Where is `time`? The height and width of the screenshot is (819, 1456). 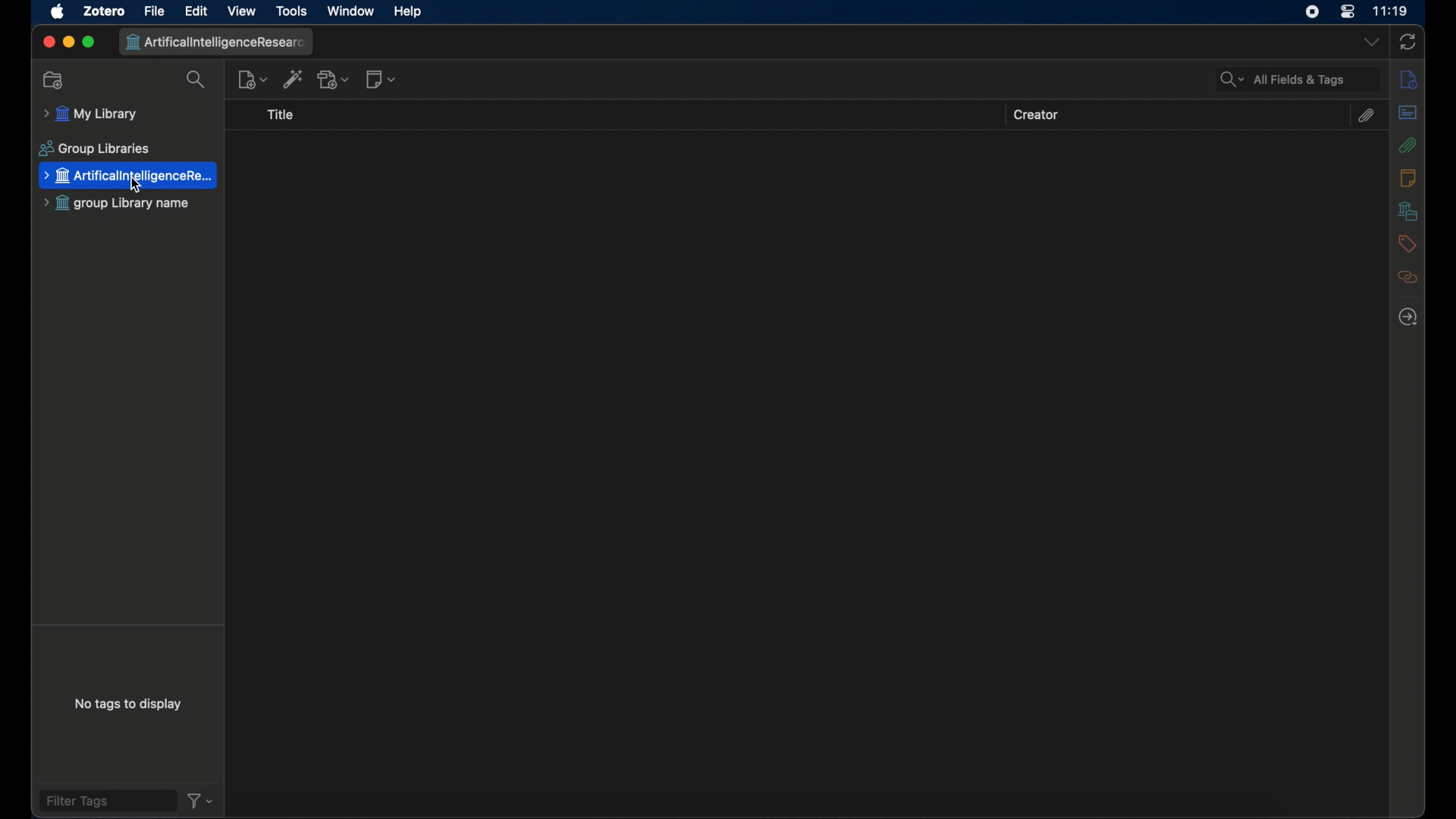
time is located at coordinates (1392, 12).